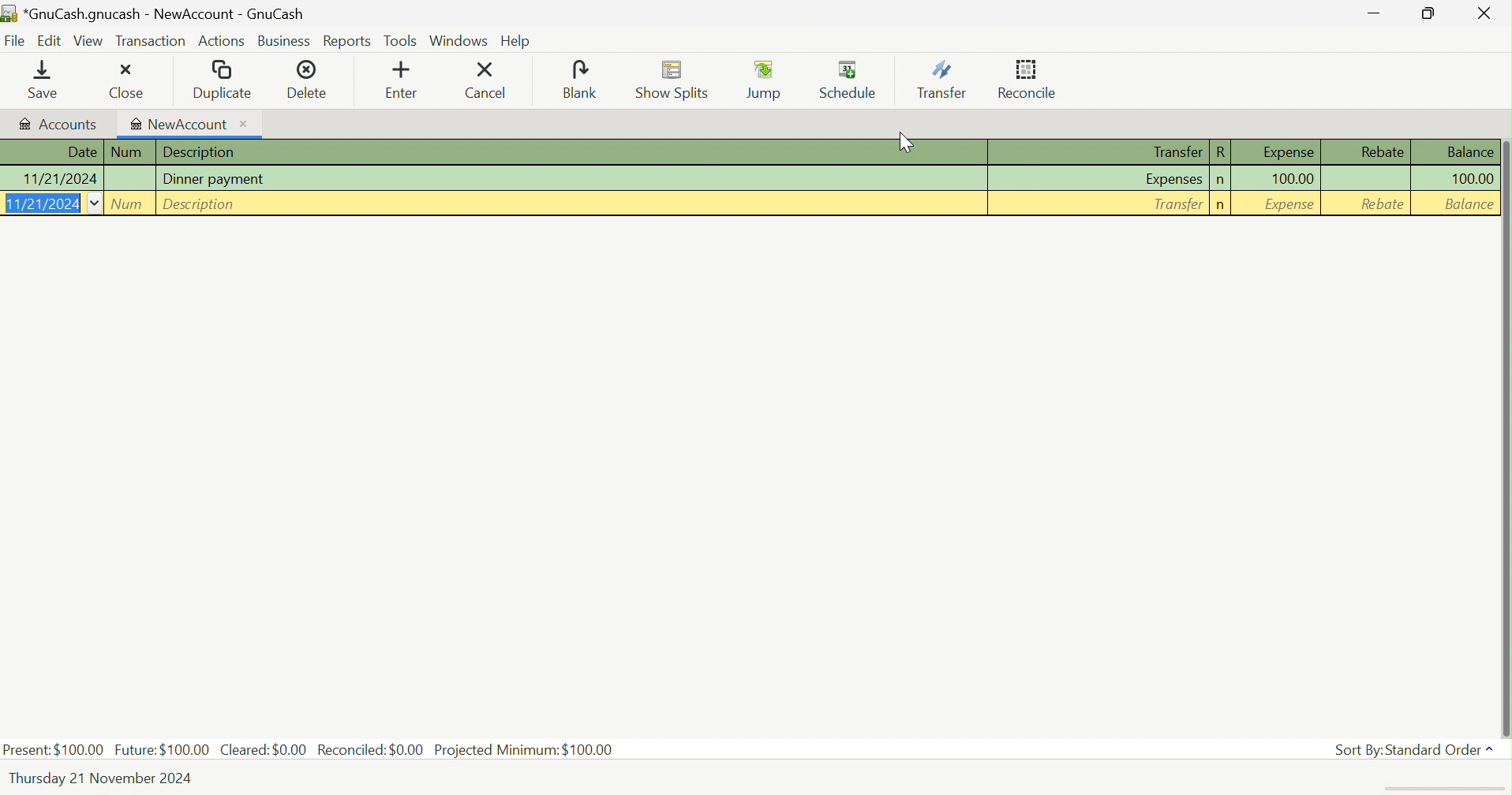 The image size is (1512, 795). I want to click on , so click(1223, 203).